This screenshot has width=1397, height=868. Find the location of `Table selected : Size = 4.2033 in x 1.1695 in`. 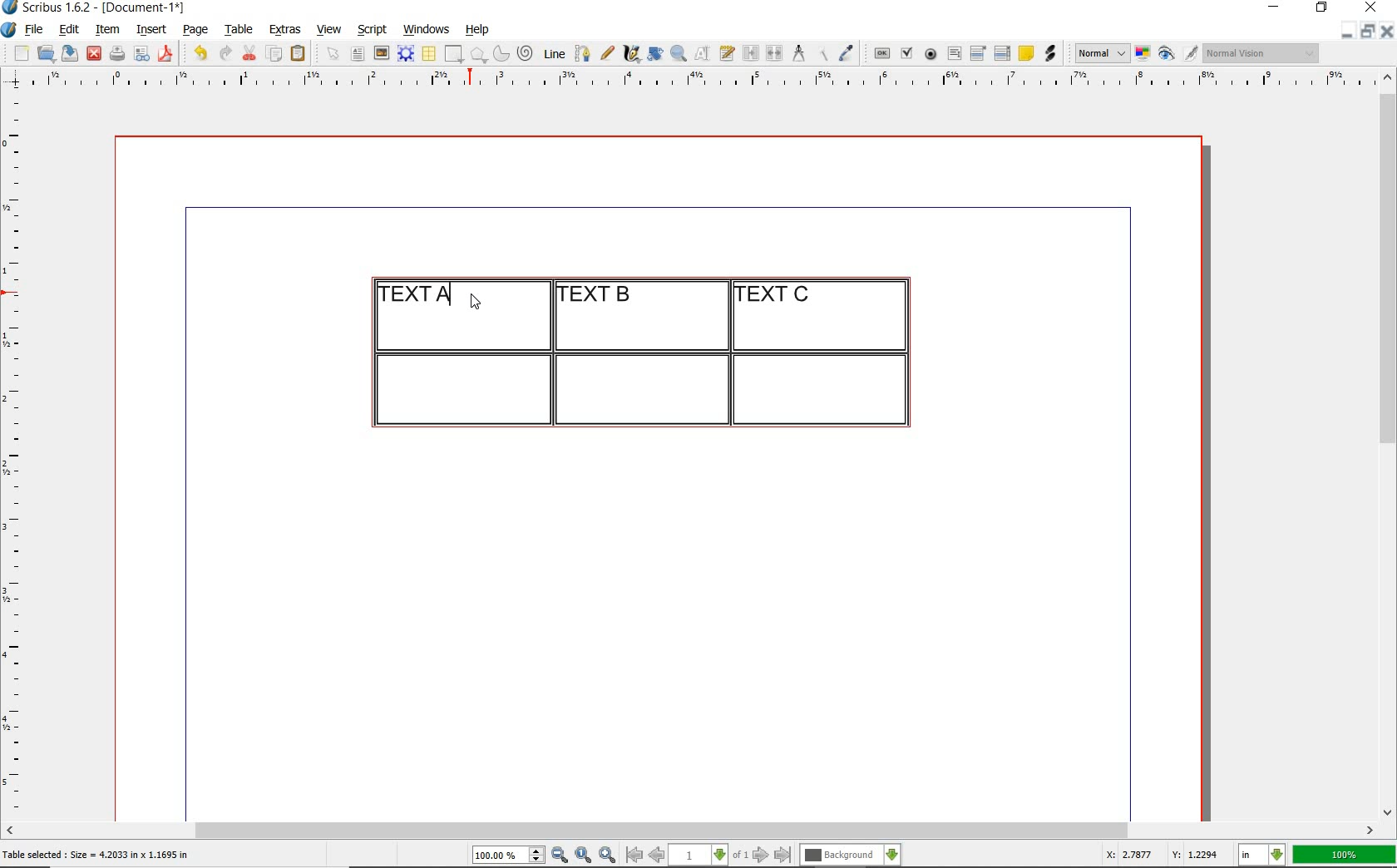

Table selected : Size = 4.2033 in x 1.1695 in is located at coordinates (96, 854).